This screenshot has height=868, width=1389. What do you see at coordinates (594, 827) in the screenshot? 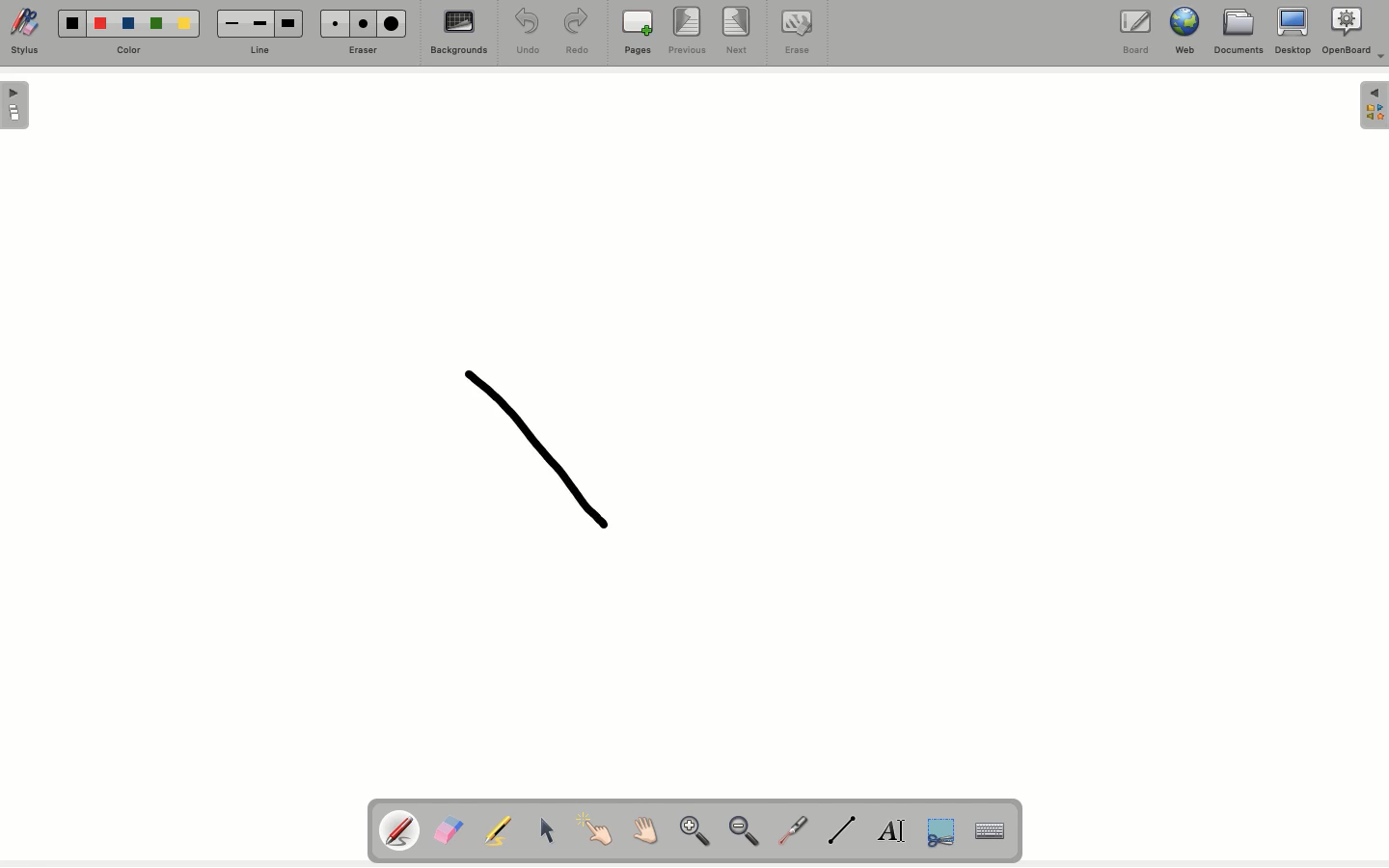
I see `Point` at bounding box center [594, 827].